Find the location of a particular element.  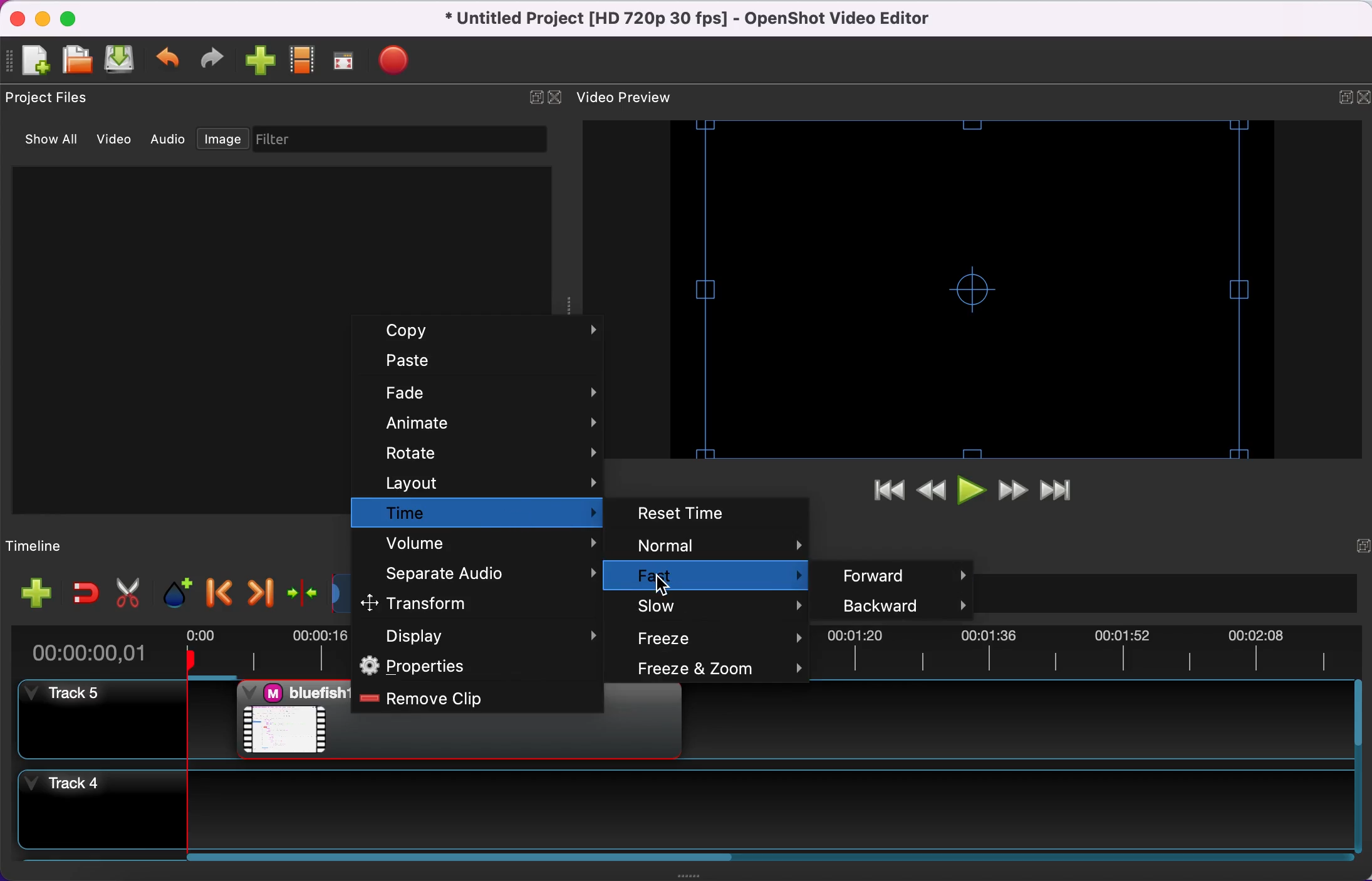

track 4 is located at coordinates (689, 813).